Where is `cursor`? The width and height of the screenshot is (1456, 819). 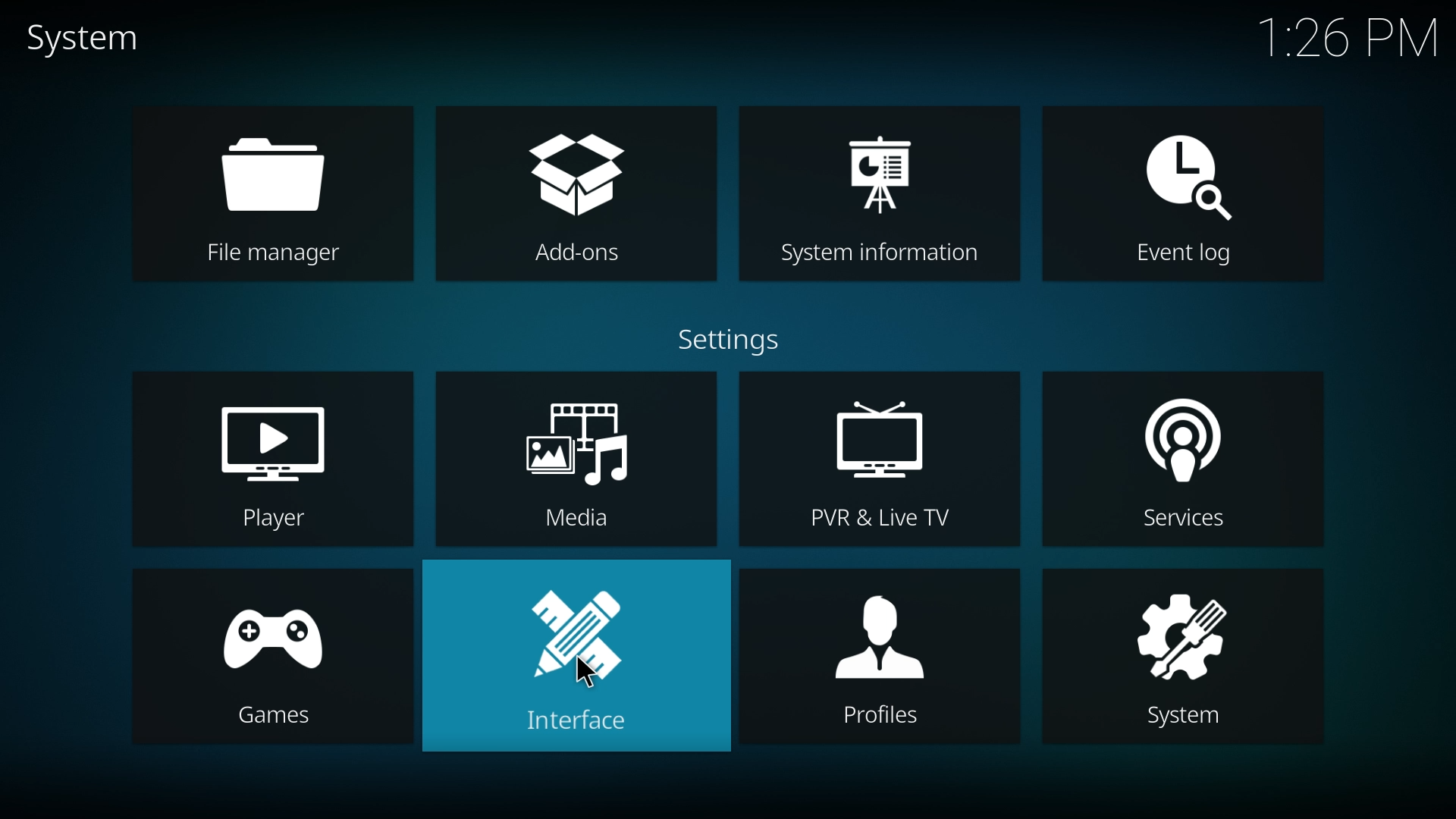 cursor is located at coordinates (588, 674).